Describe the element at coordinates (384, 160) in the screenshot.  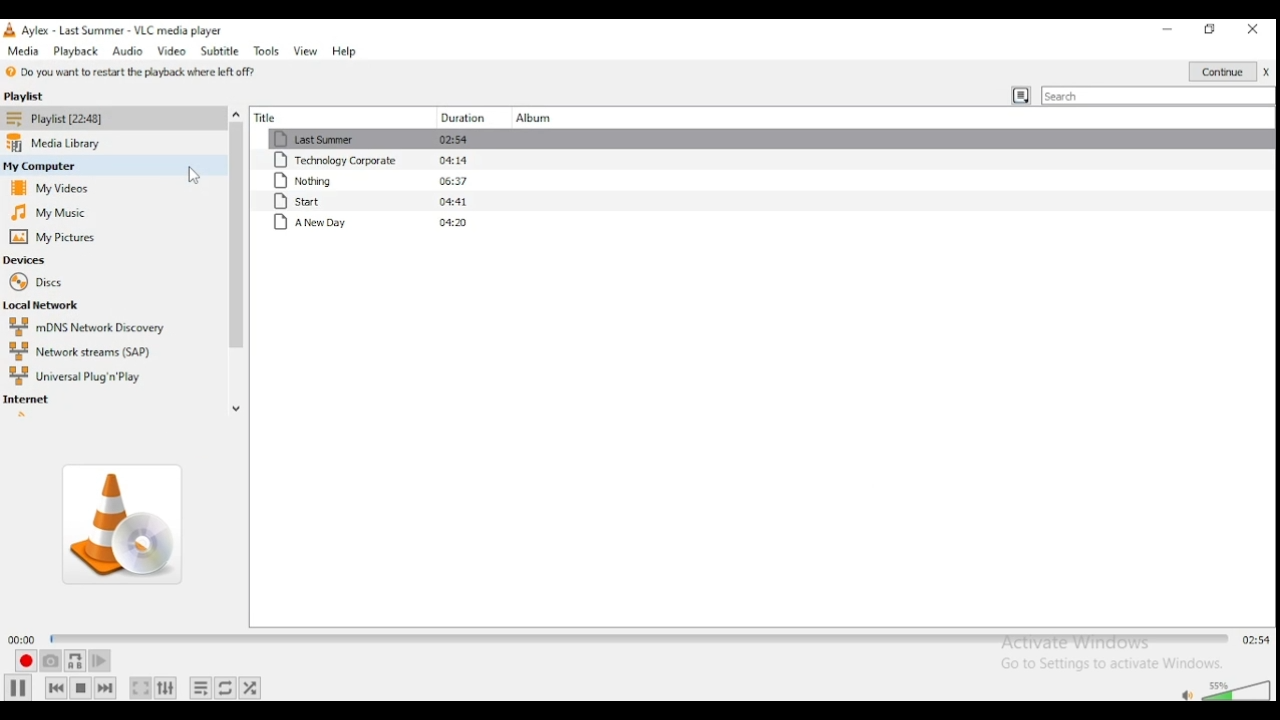
I see `playlist item 2` at that location.